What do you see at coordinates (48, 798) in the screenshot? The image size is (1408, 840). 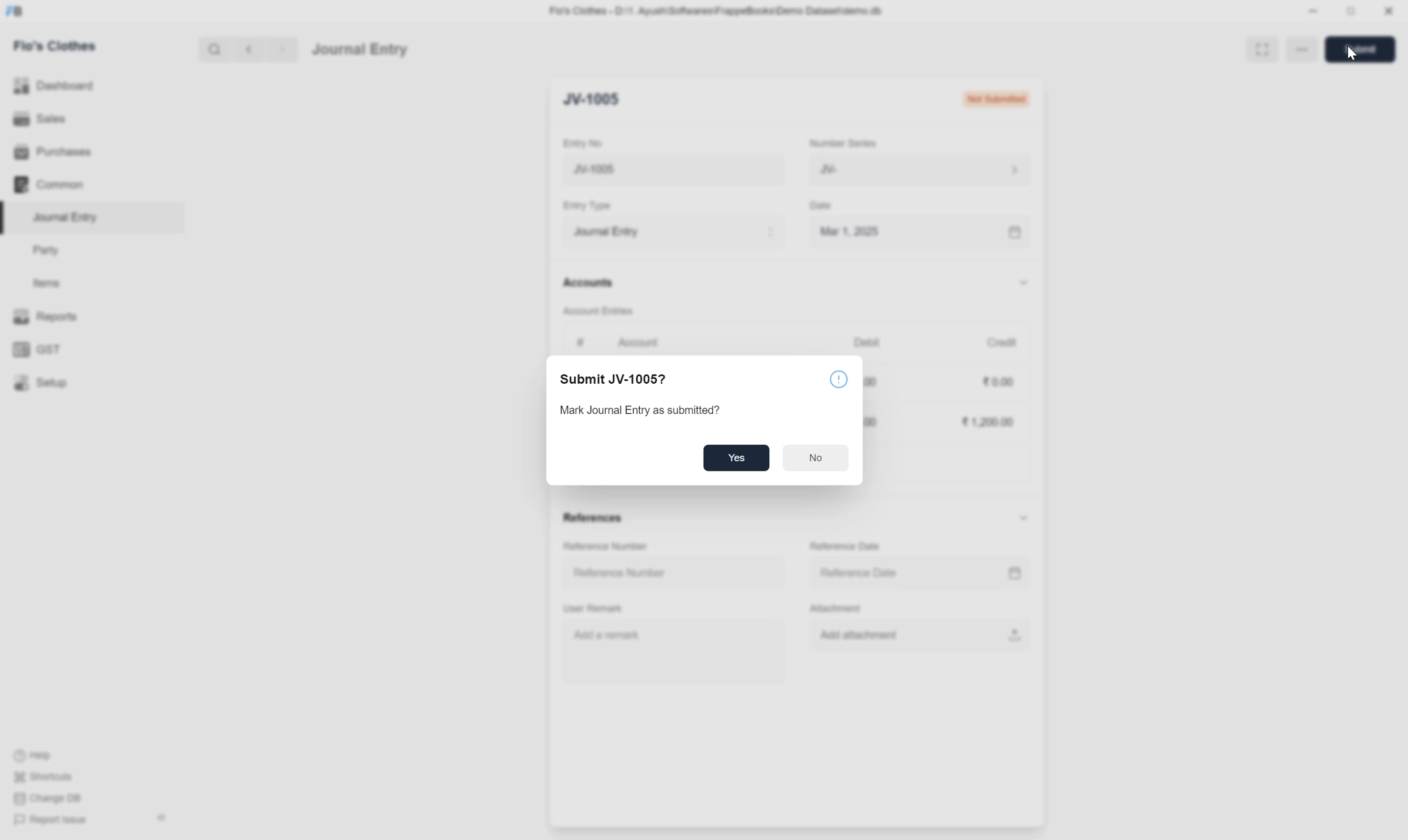 I see `Change DB` at bounding box center [48, 798].